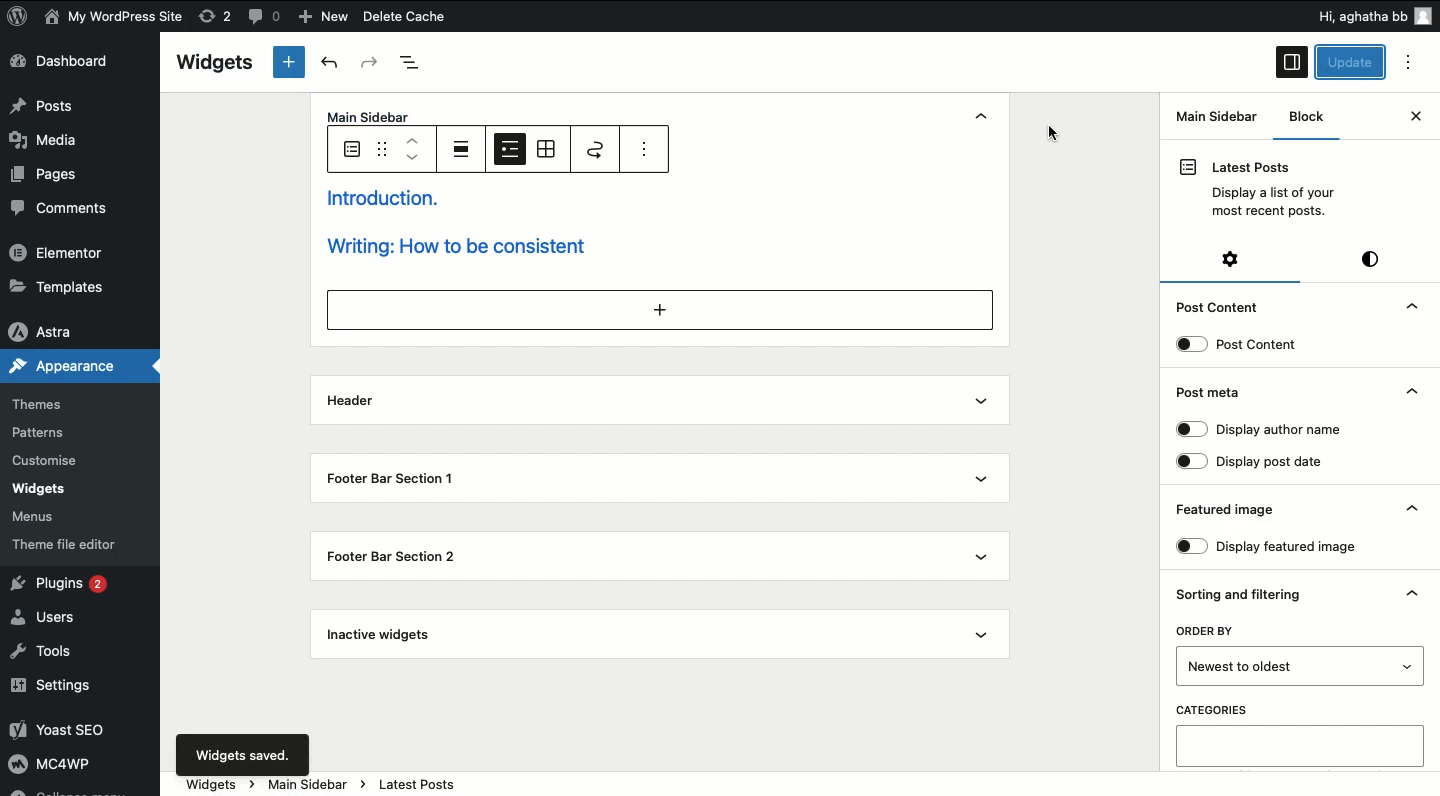 The width and height of the screenshot is (1440, 796). What do you see at coordinates (1264, 429) in the screenshot?
I see `Display author name` at bounding box center [1264, 429].